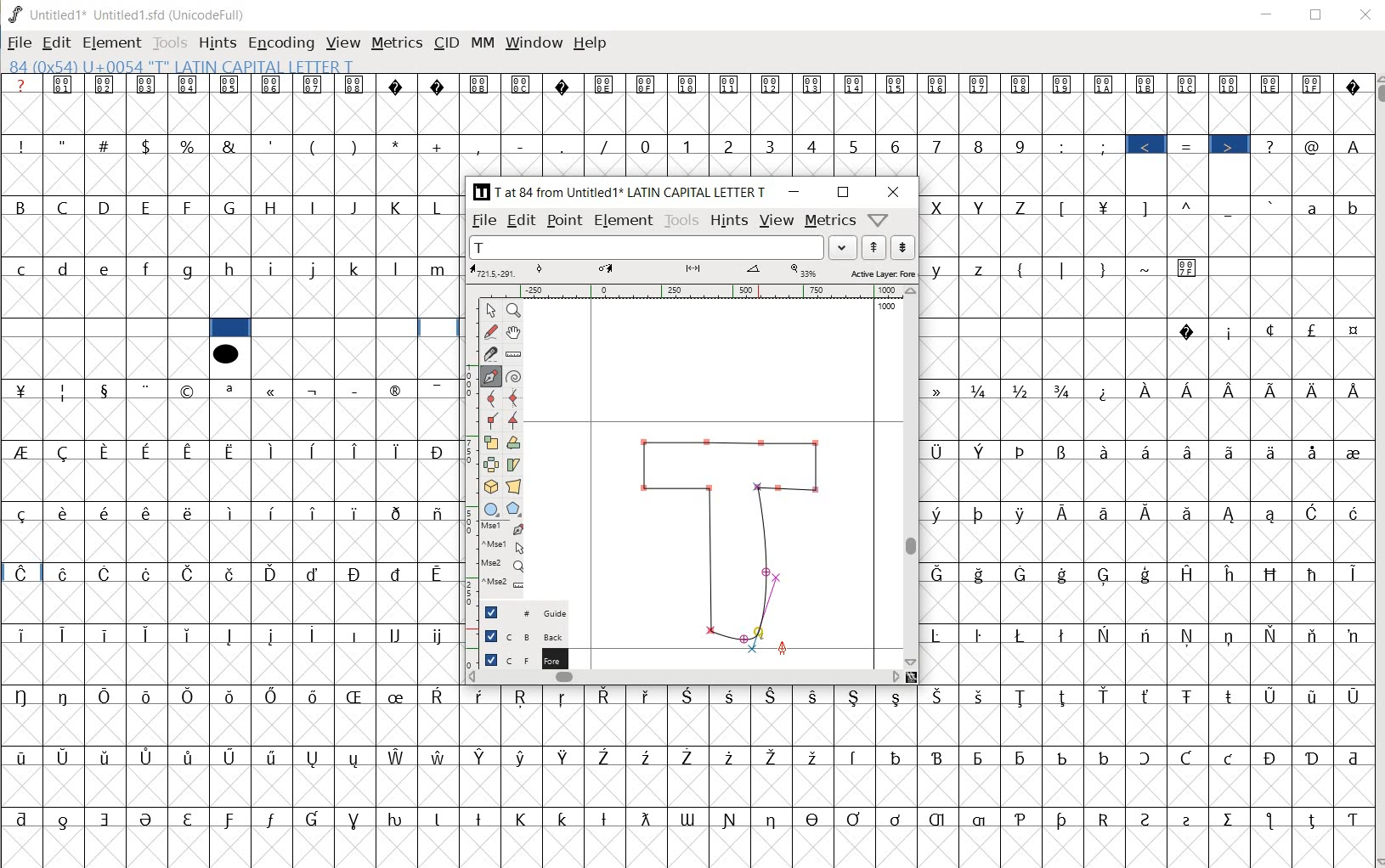  What do you see at coordinates (189, 817) in the screenshot?
I see `Symbol` at bounding box center [189, 817].